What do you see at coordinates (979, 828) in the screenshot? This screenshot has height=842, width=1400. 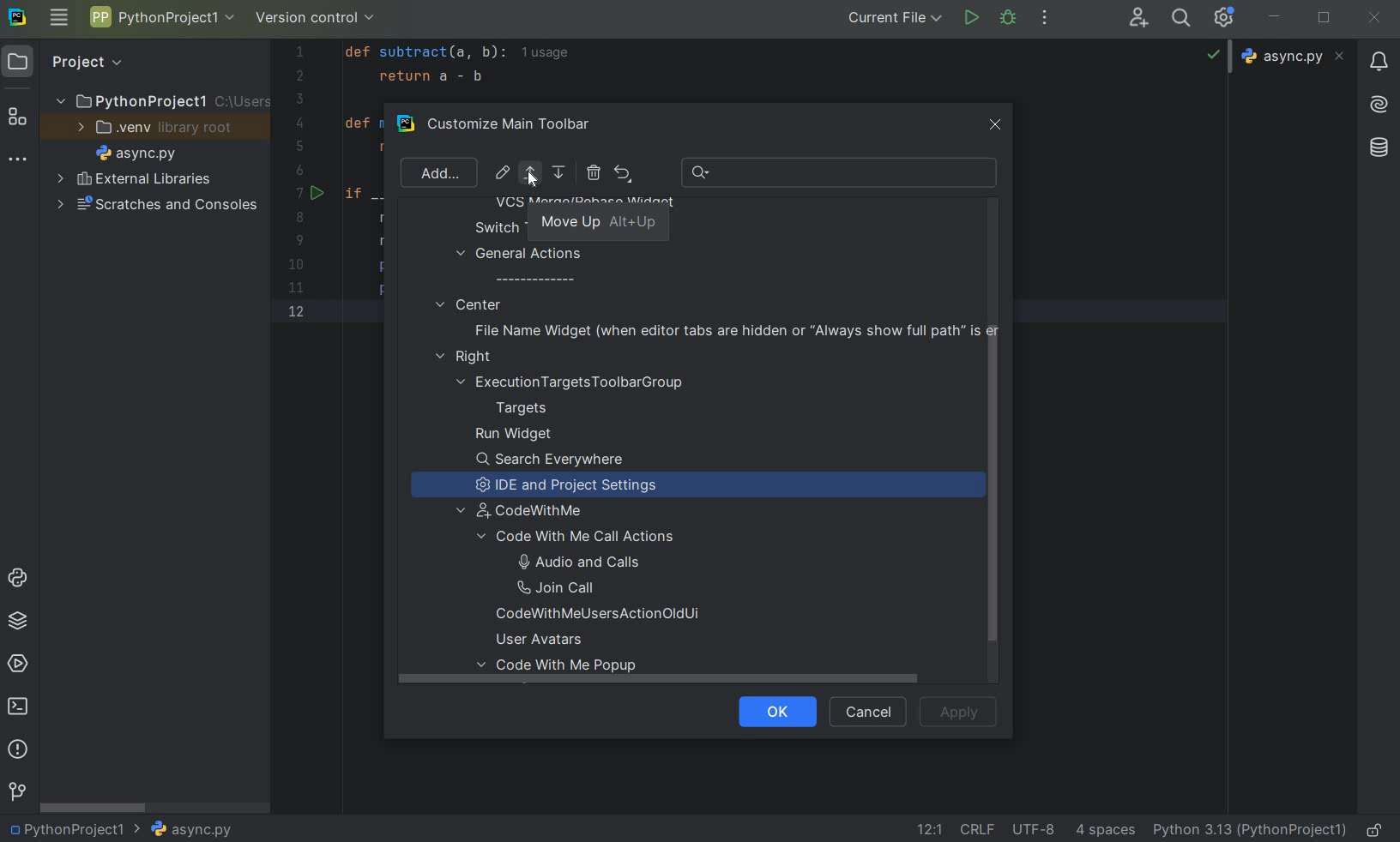 I see `LINE SEPARATOR` at bounding box center [979, 828].